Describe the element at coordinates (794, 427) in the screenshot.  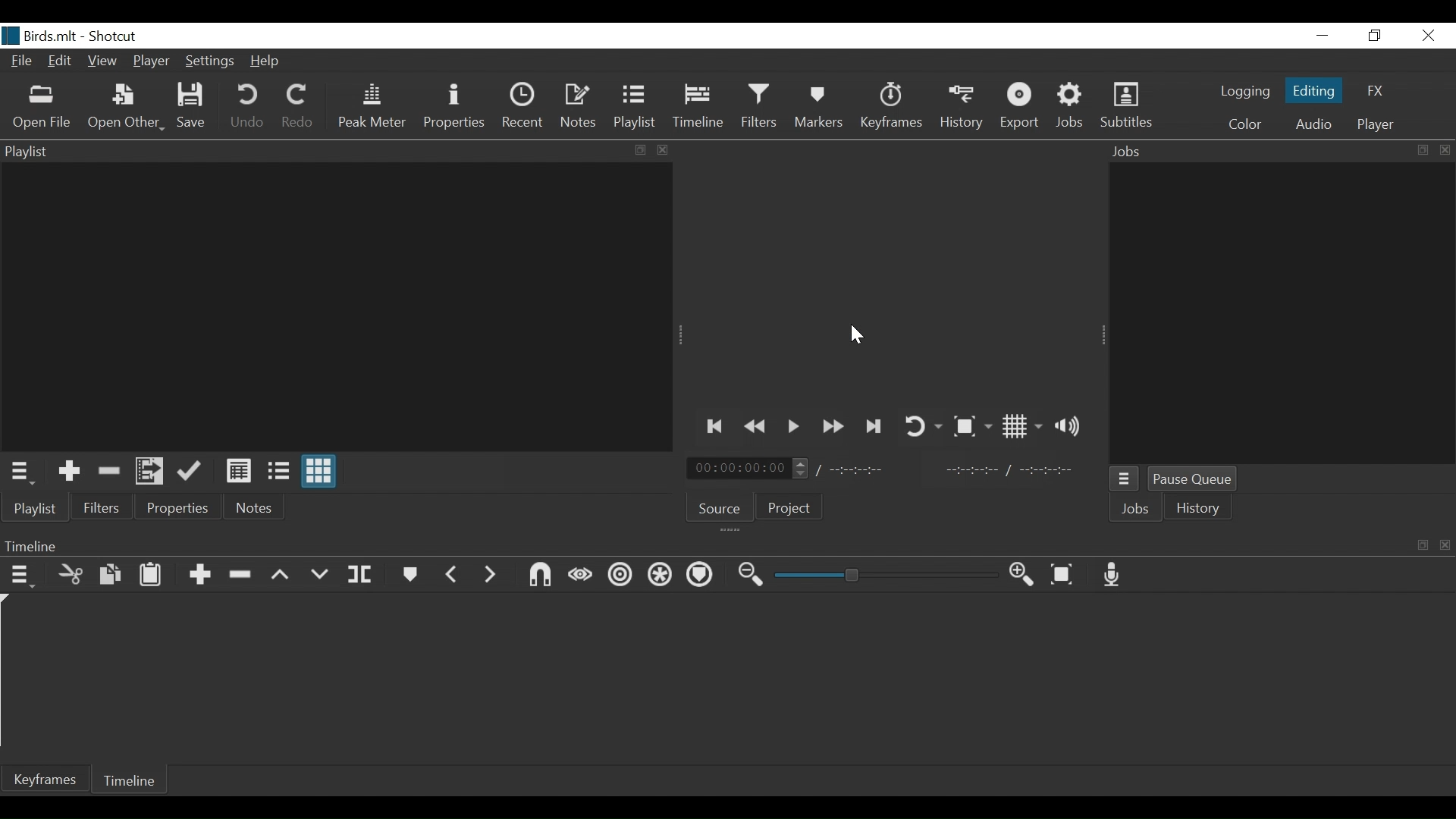
I see `Toggle play or pause (space)` at that location.